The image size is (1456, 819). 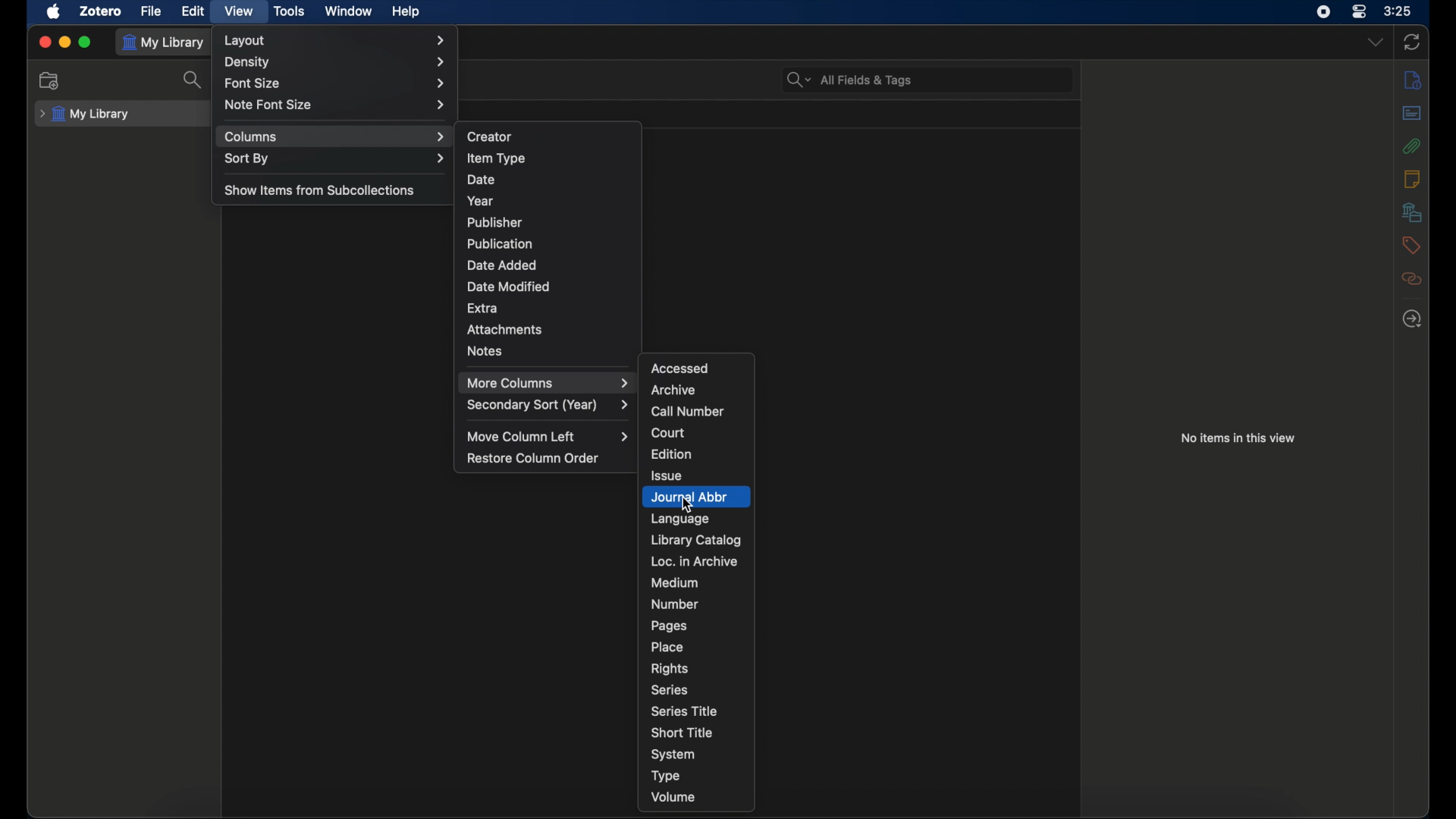 What do you see at coordinates (672, 453) in the screenshot?
I see `edition` at bounding box center [672, 453].